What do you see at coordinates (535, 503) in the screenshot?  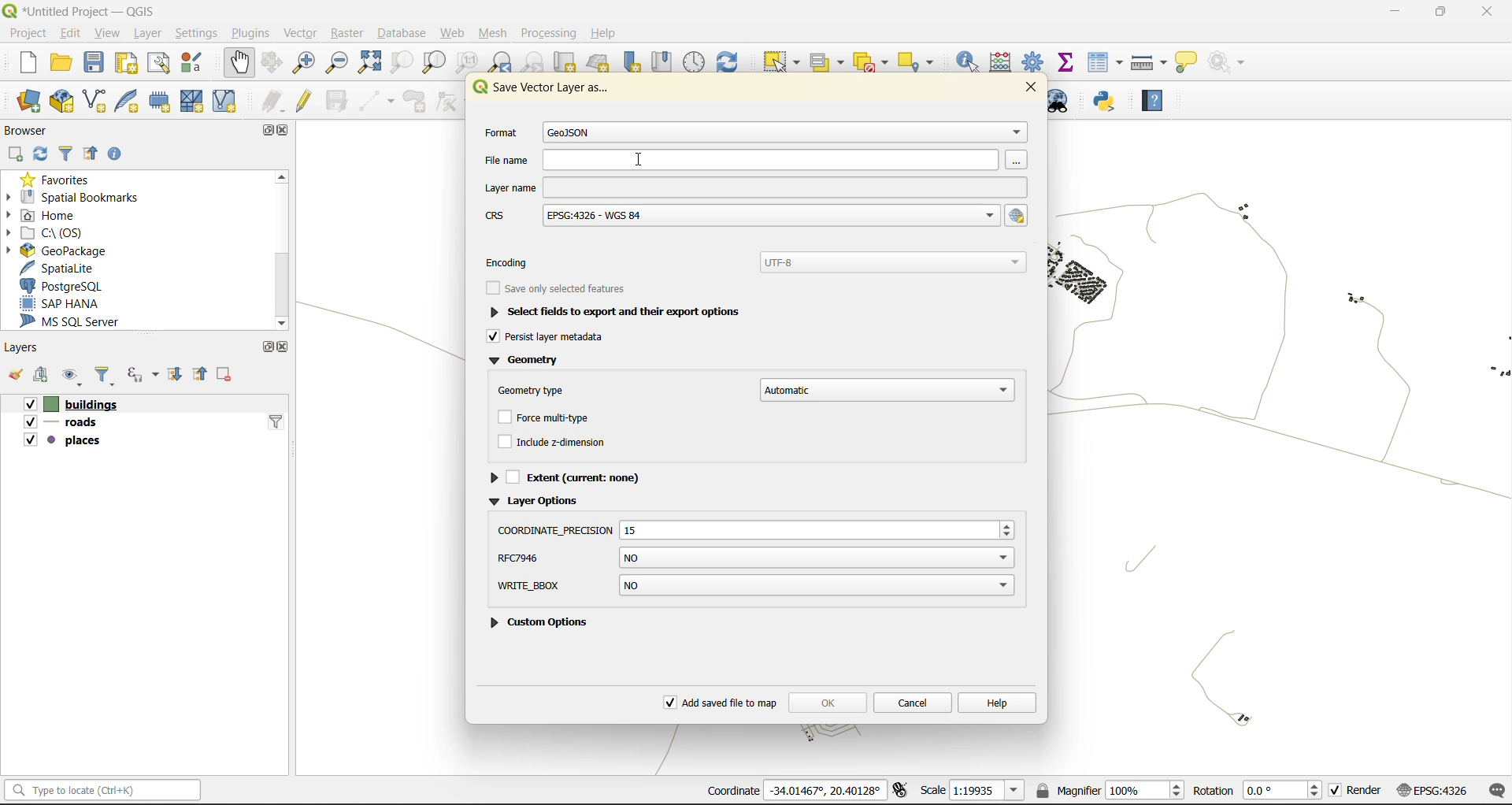 I see `layer options` at bounding box center [535, 503].